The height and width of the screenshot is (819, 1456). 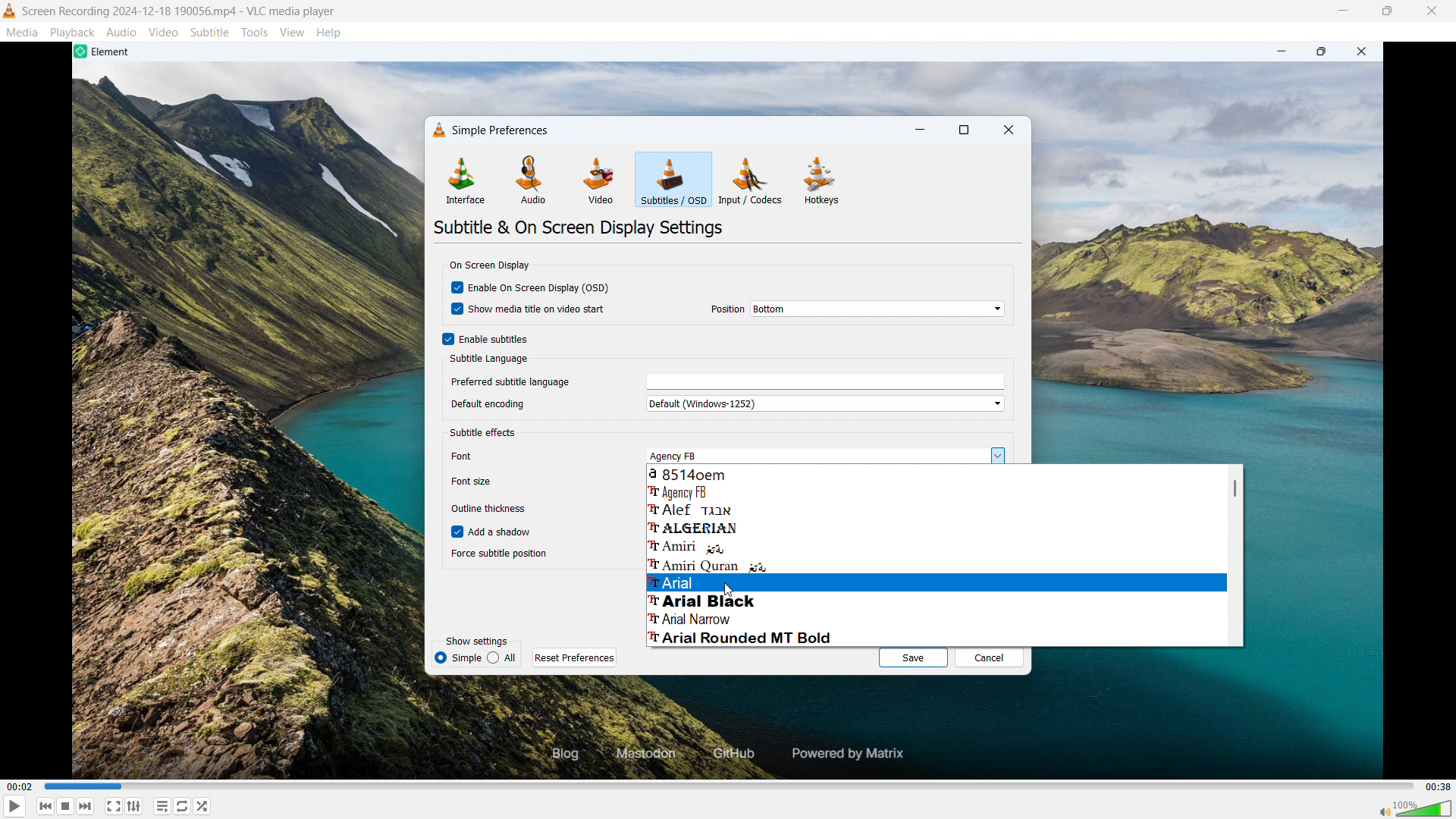 I want to click on font default color, so click(x=486, y=434).